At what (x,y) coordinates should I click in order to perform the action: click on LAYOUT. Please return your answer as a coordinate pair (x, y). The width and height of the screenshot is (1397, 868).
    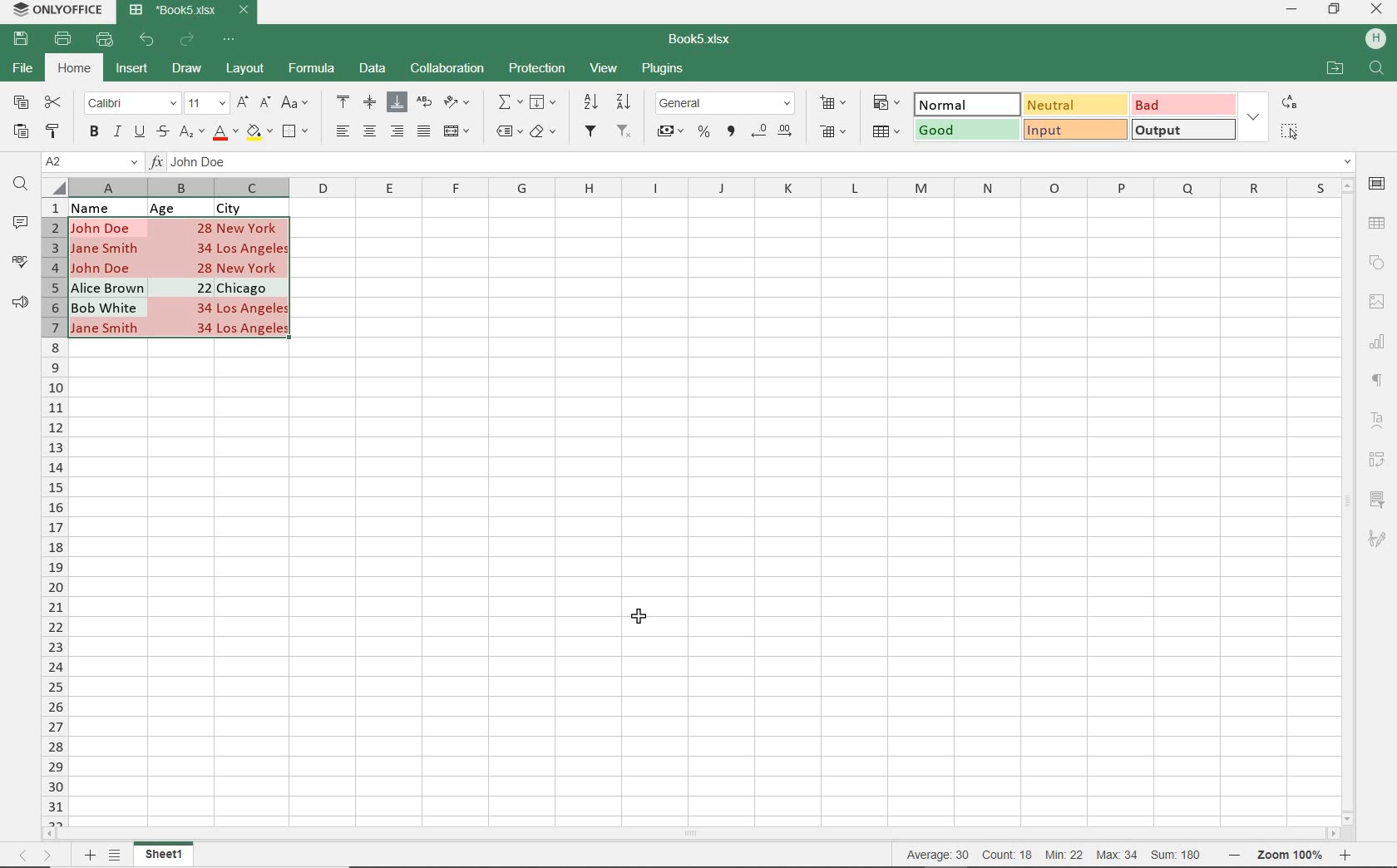
    Looking at the image, I should click on (243, 70).